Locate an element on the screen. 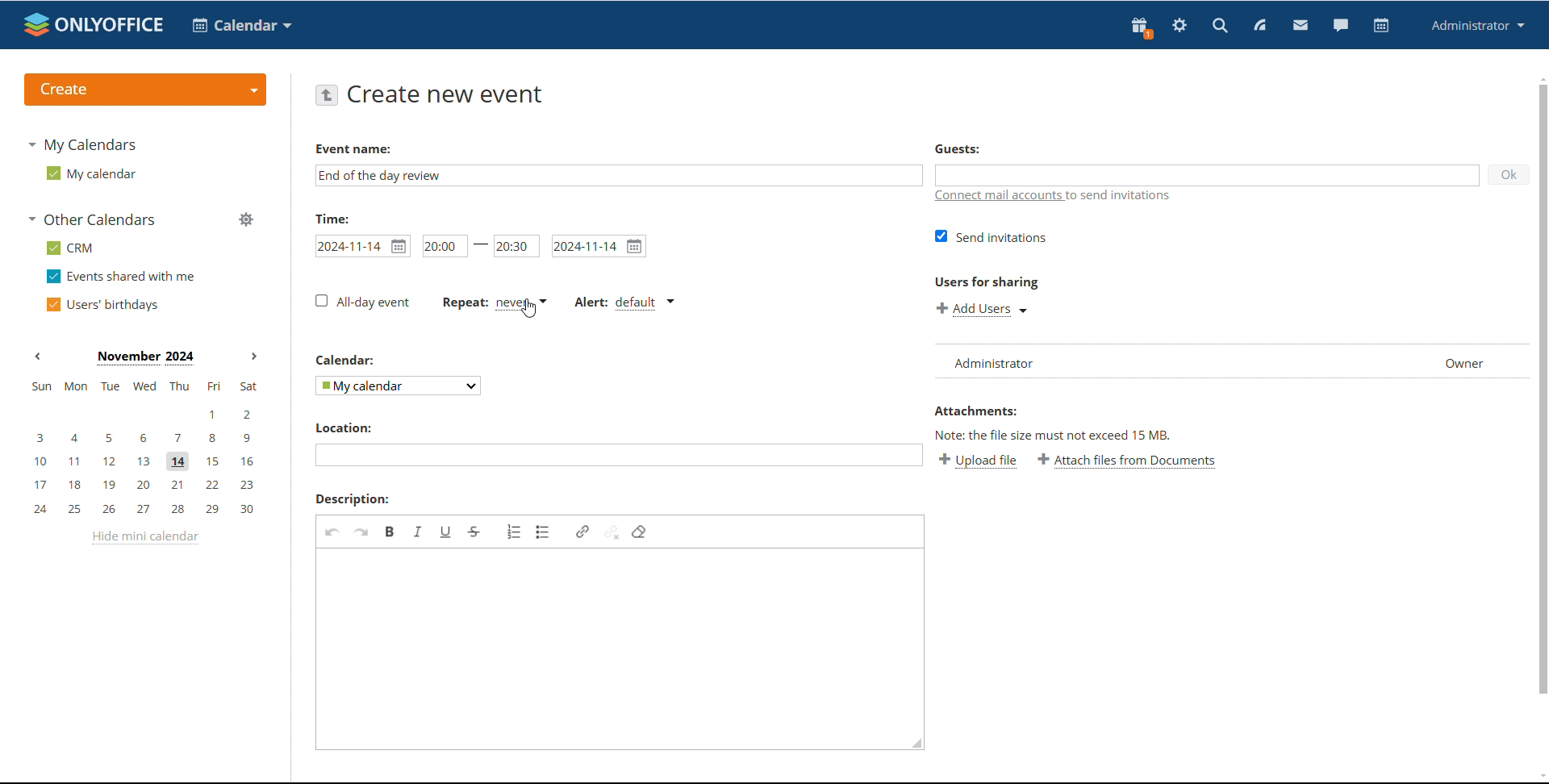  add users is located at coordinates (984, 309).